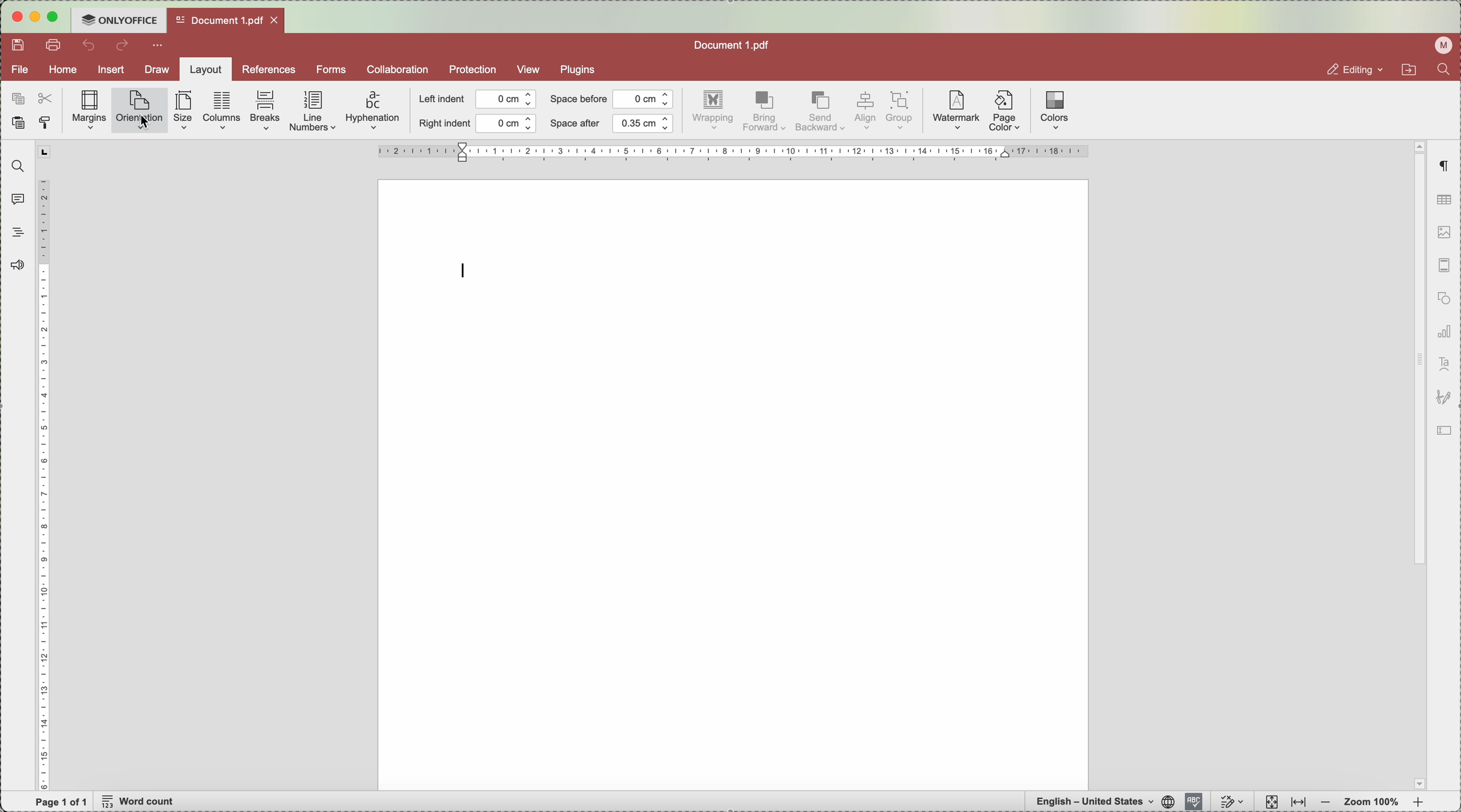 This screenshot has height=812, width=1461. I want to click on columns, so click(222, 109).